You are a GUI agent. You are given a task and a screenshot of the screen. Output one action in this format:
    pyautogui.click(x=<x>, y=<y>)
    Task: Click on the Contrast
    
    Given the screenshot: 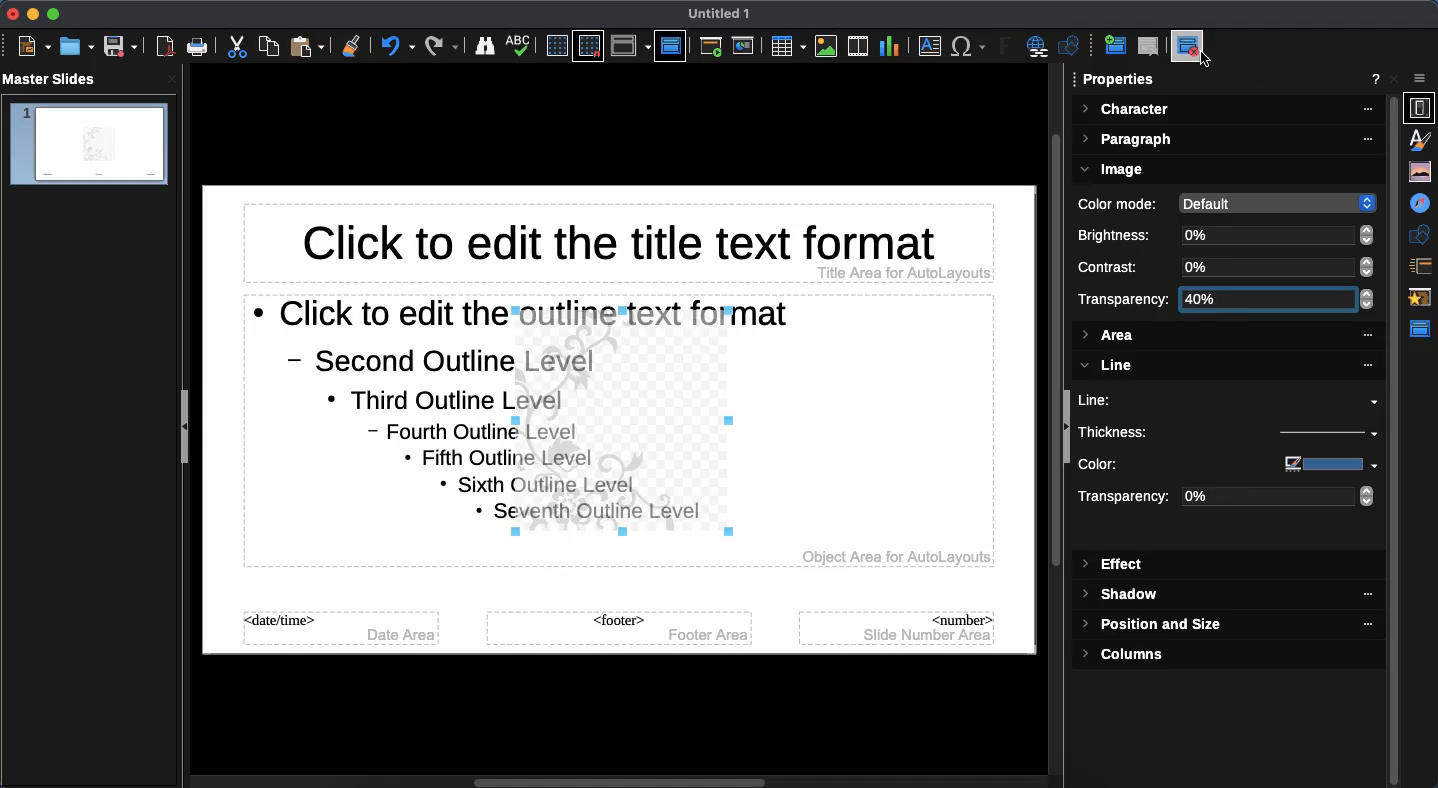 What is the action you would take?
    pyautogui.click(x=1116, y=267)
    